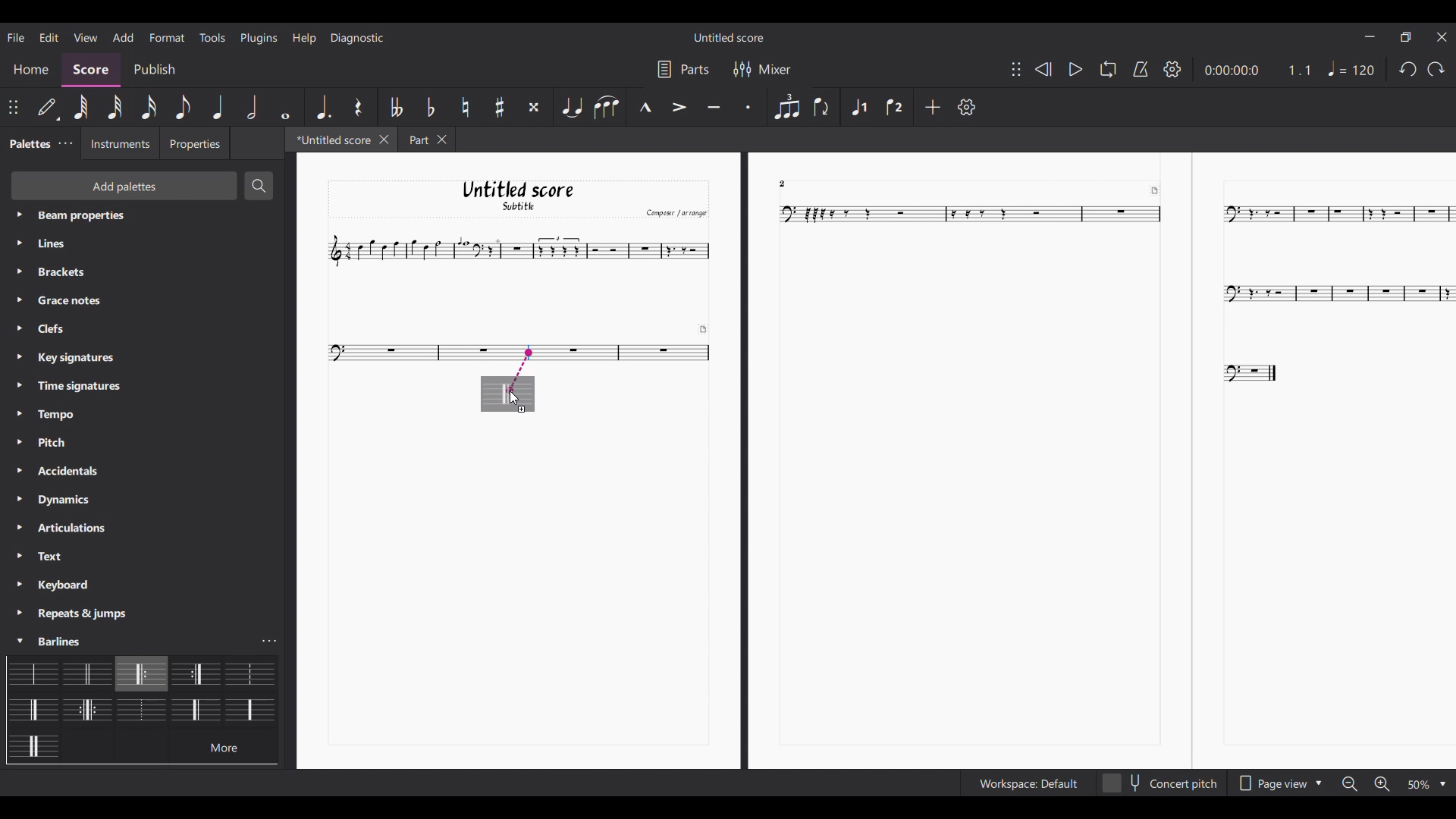 The height and width of the screenshot is (819, 1456). Describe the element at coordinates (82, 273) in the screenshot. I see `Palette settings` at that location.